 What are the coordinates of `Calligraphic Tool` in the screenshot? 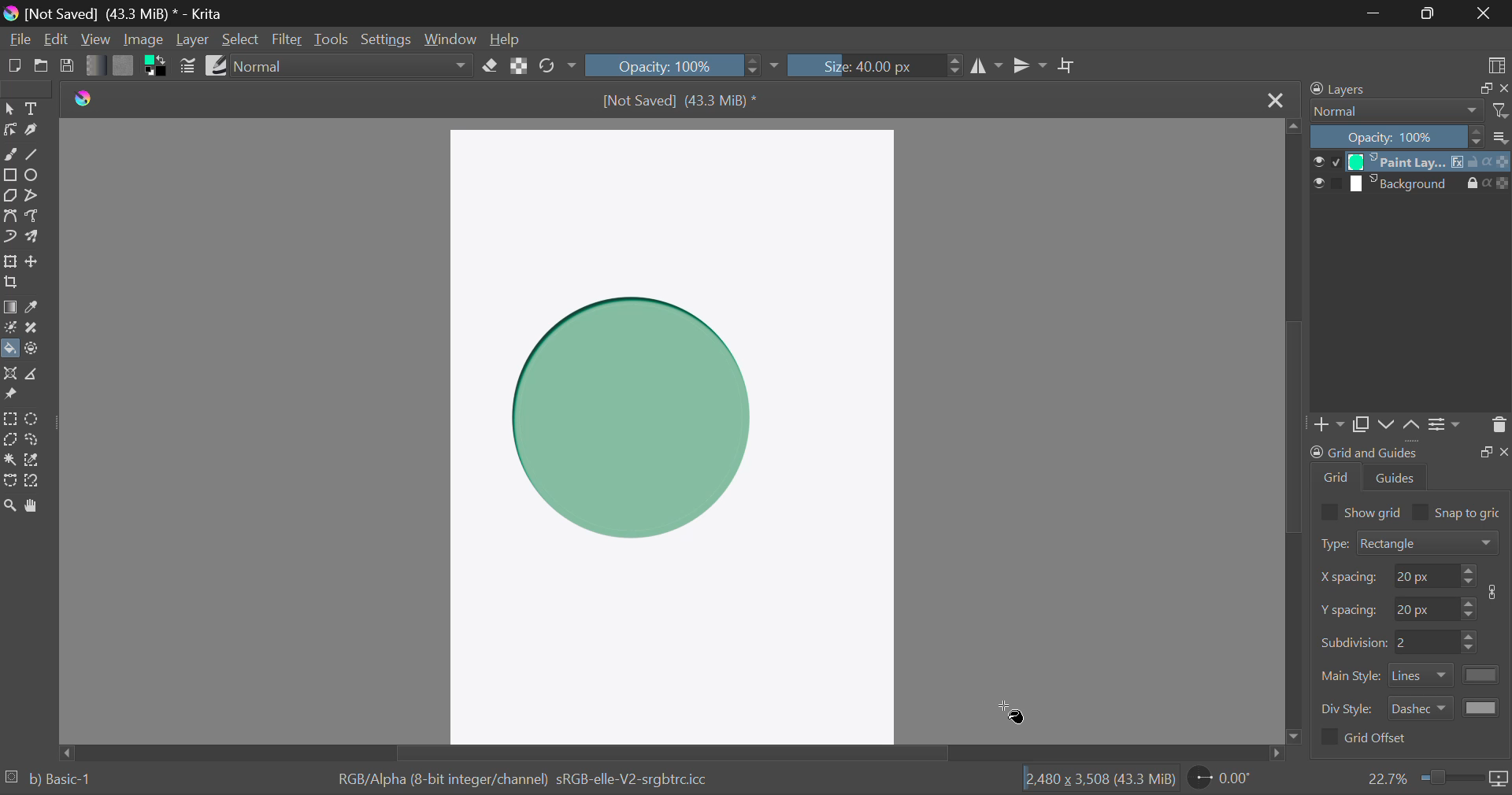 It's located at (32, 130).